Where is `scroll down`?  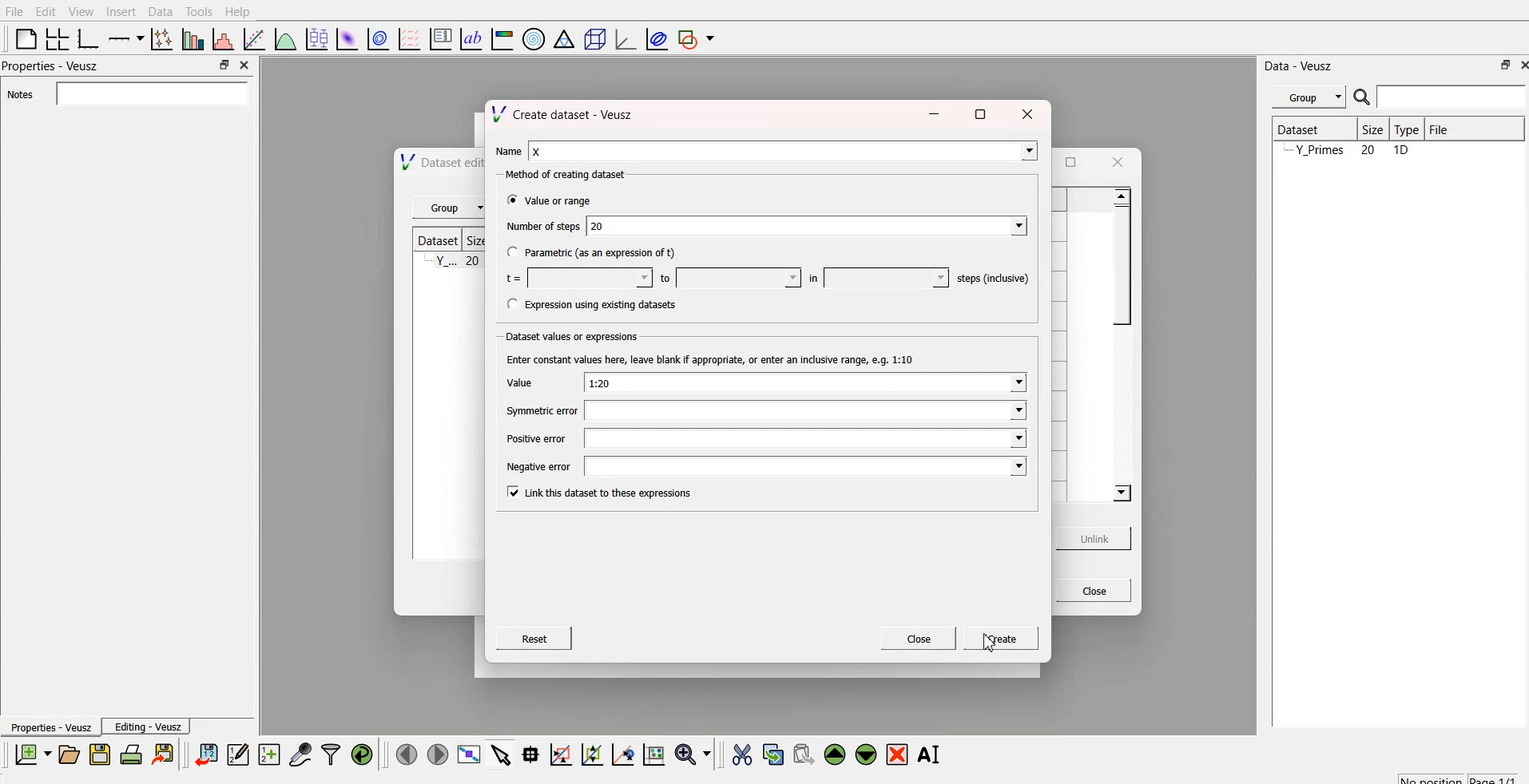 scroll down is located at coordinates (1117, 493).